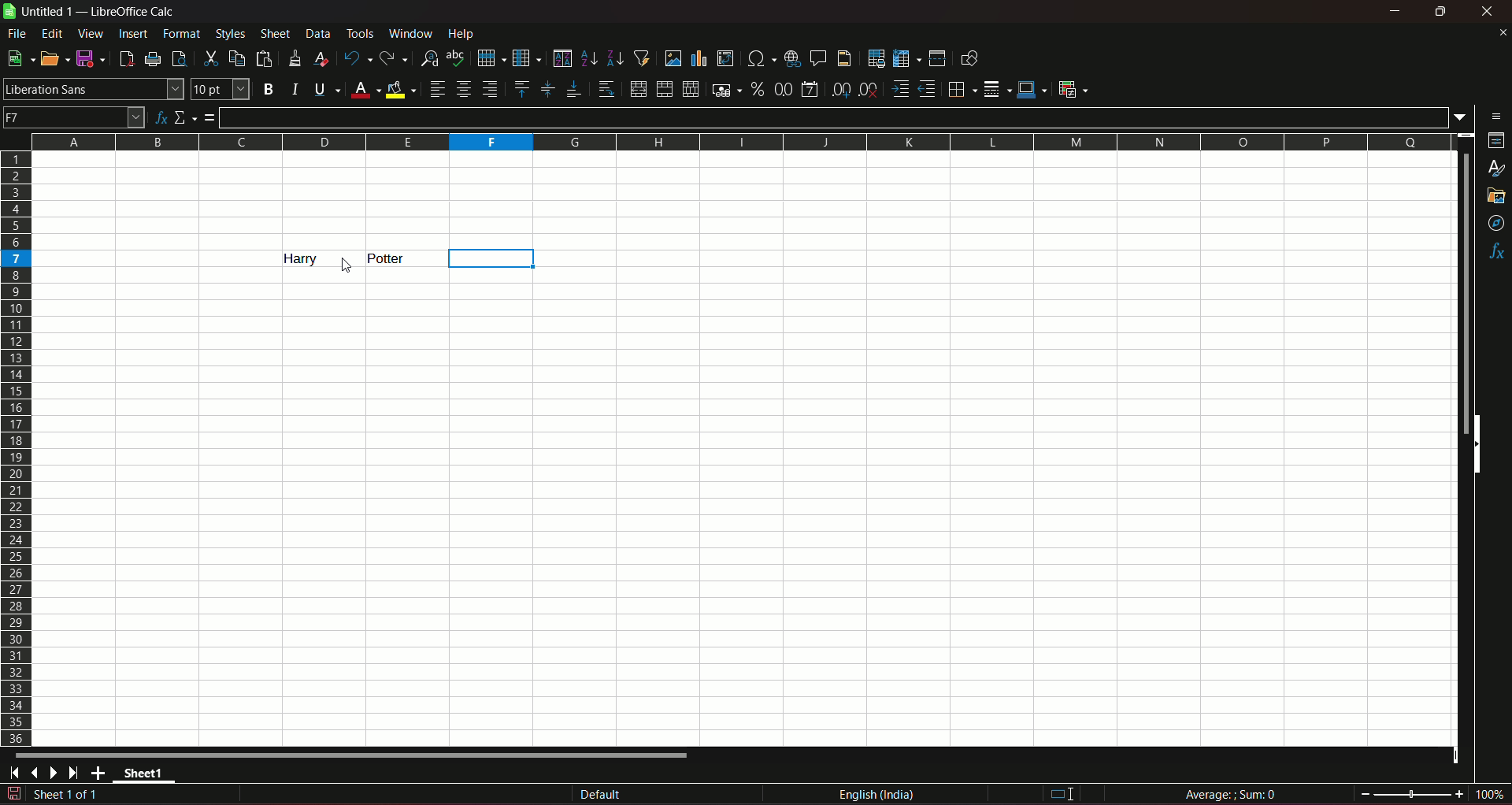  Describe the element at coordinates (1490, 11) in the screenshot. I see `close` at that location.